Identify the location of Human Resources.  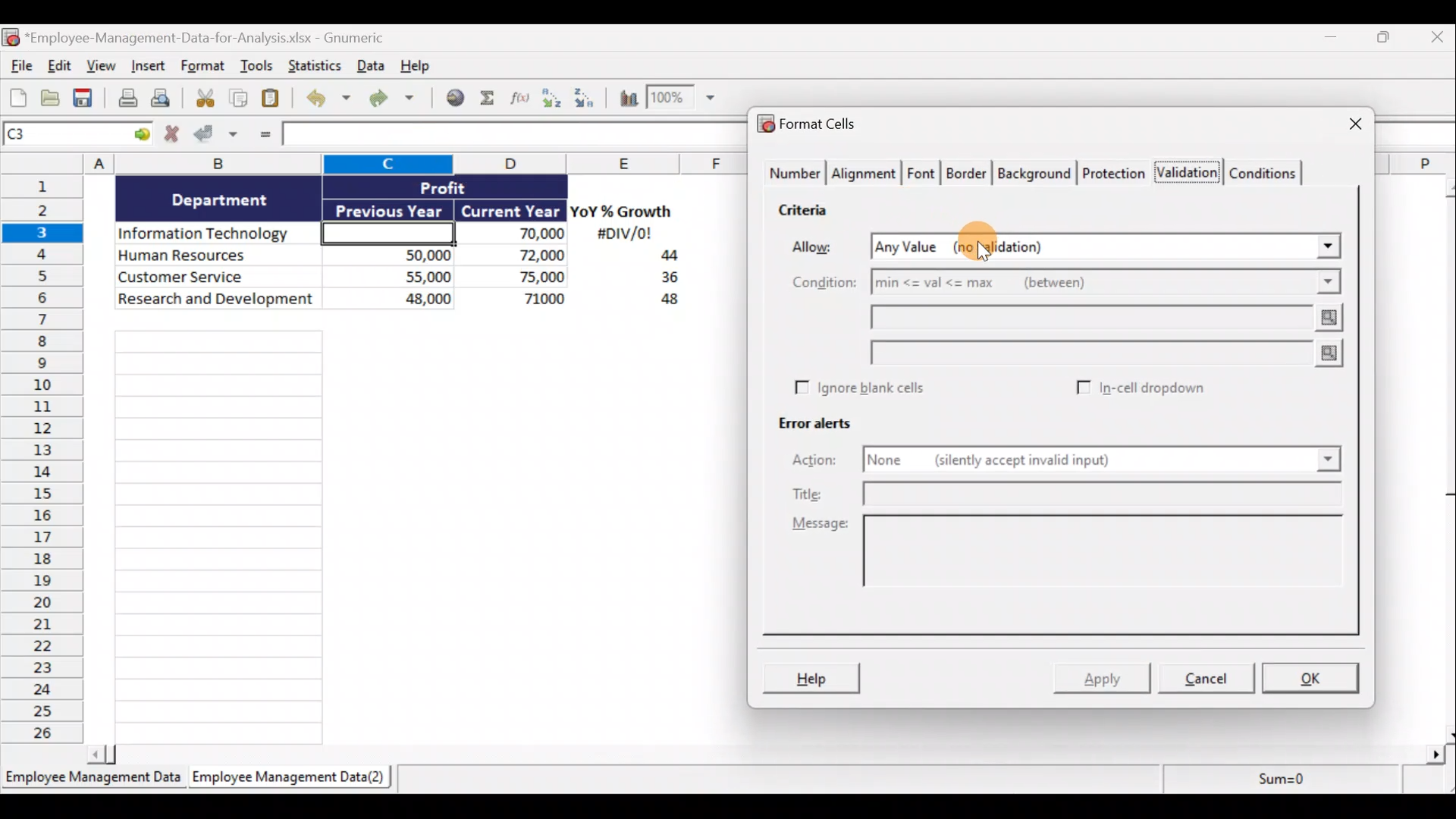
(215, 256).